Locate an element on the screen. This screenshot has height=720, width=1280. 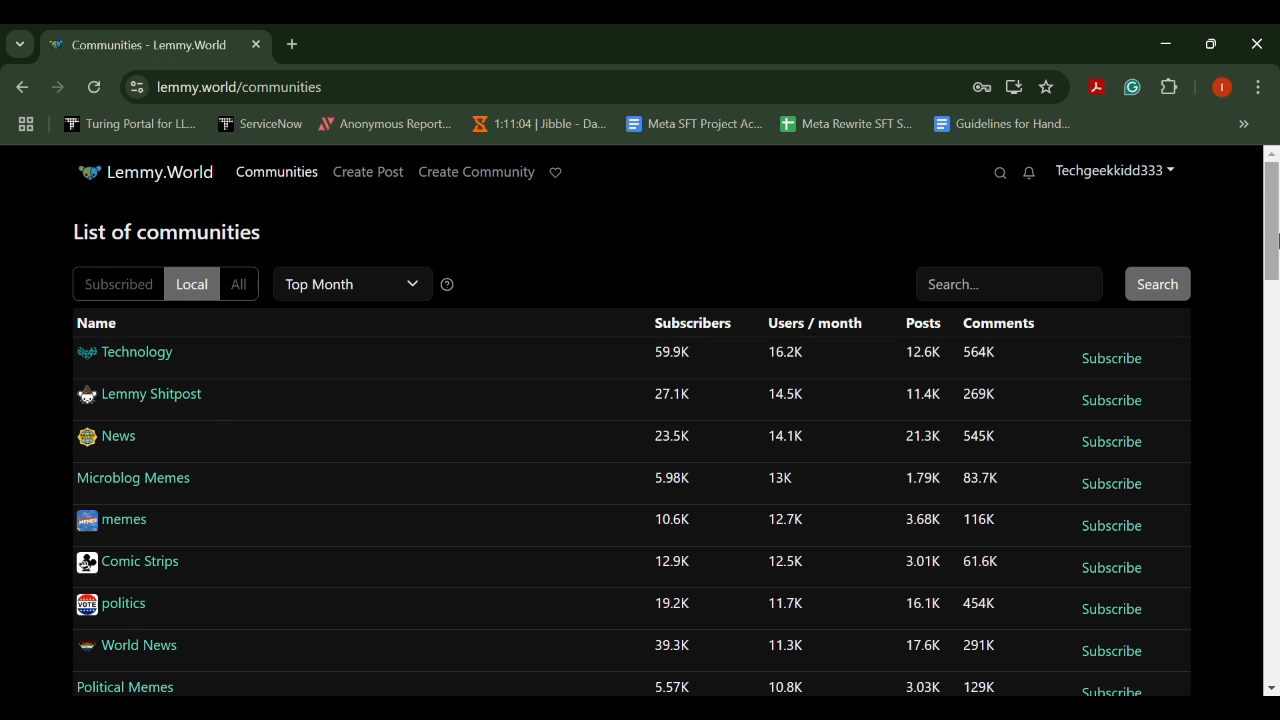
Create Post is located at coordinates (369, 173).